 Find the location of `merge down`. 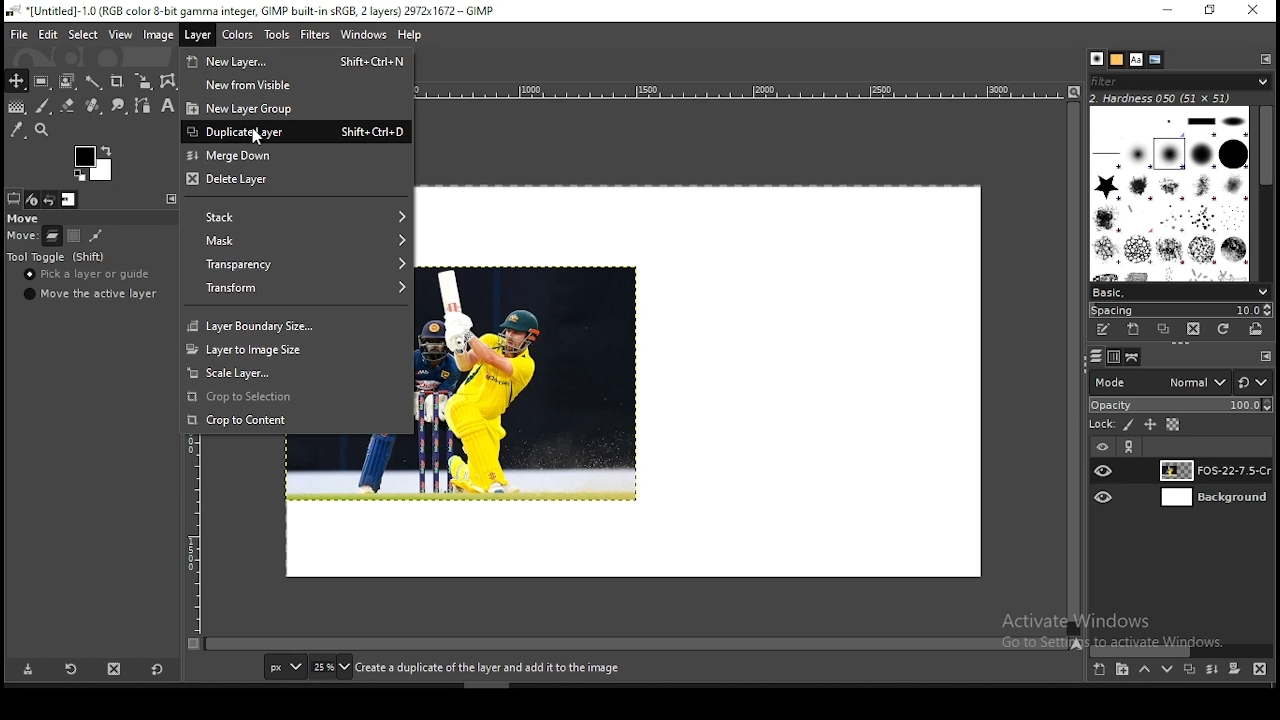

merge down is located at coordinates (295, 155).